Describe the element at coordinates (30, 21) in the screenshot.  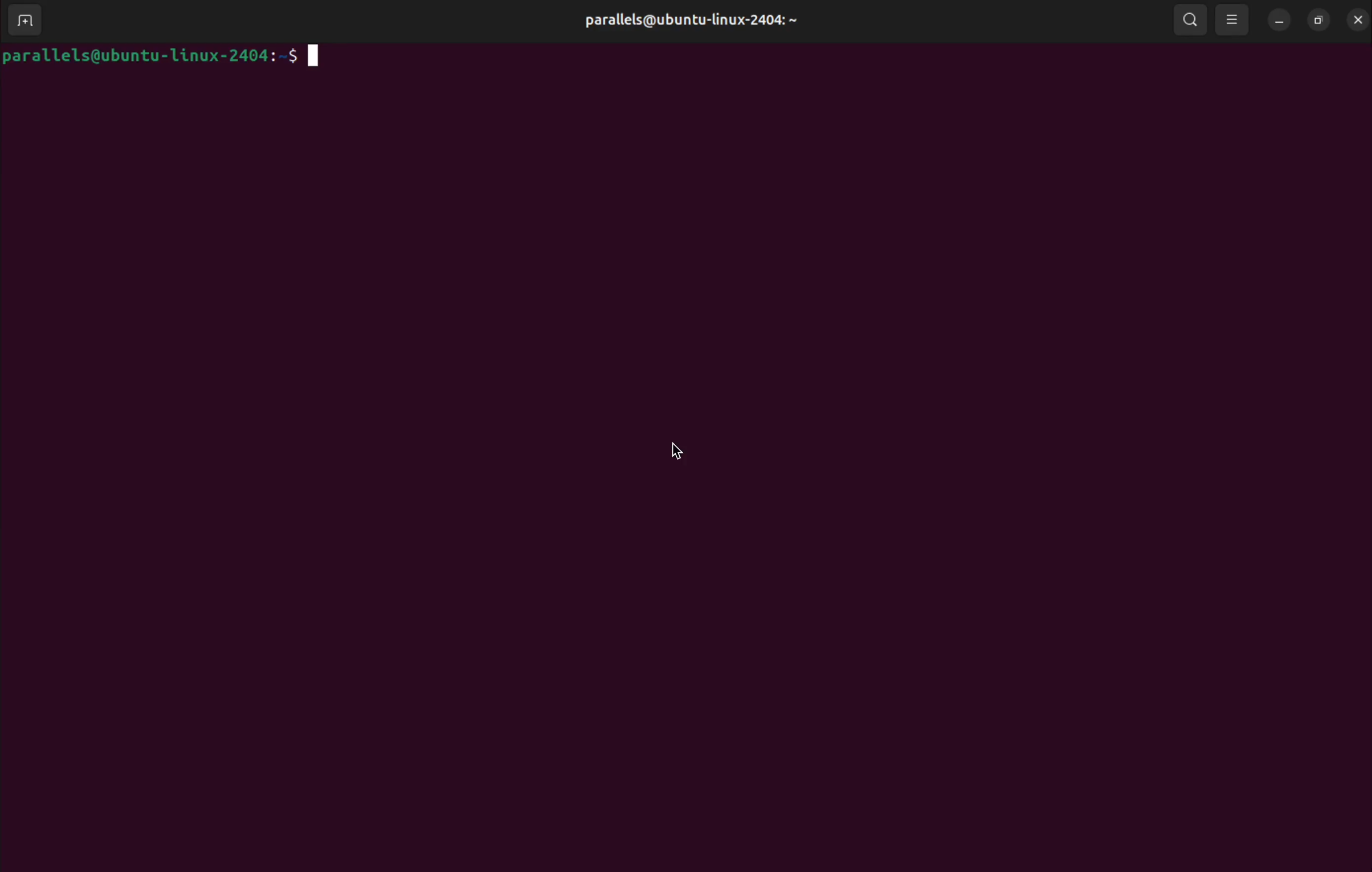
I see `add terminal window` at that location.